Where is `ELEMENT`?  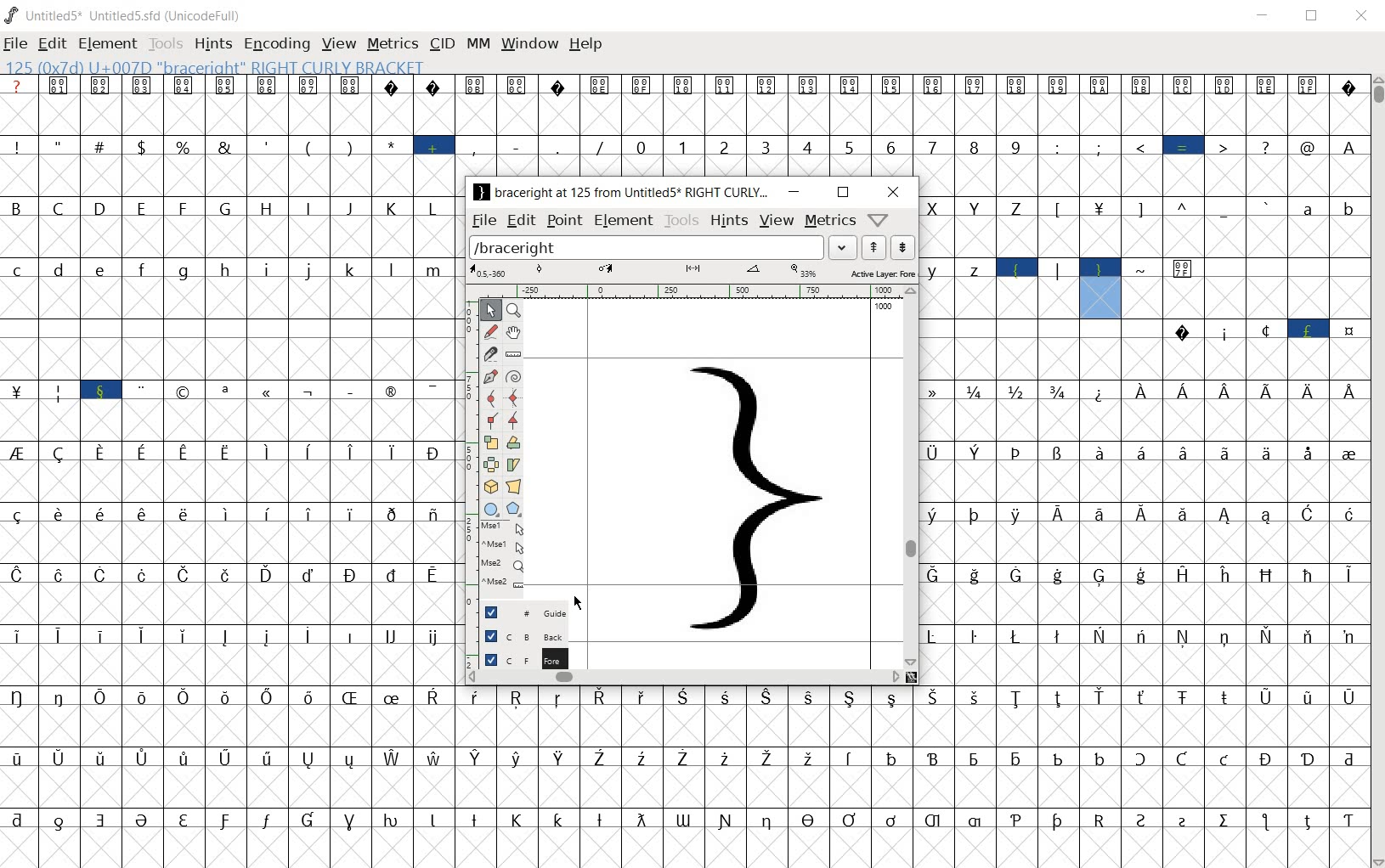
ELEMENT is located at coordinates (107, 44).